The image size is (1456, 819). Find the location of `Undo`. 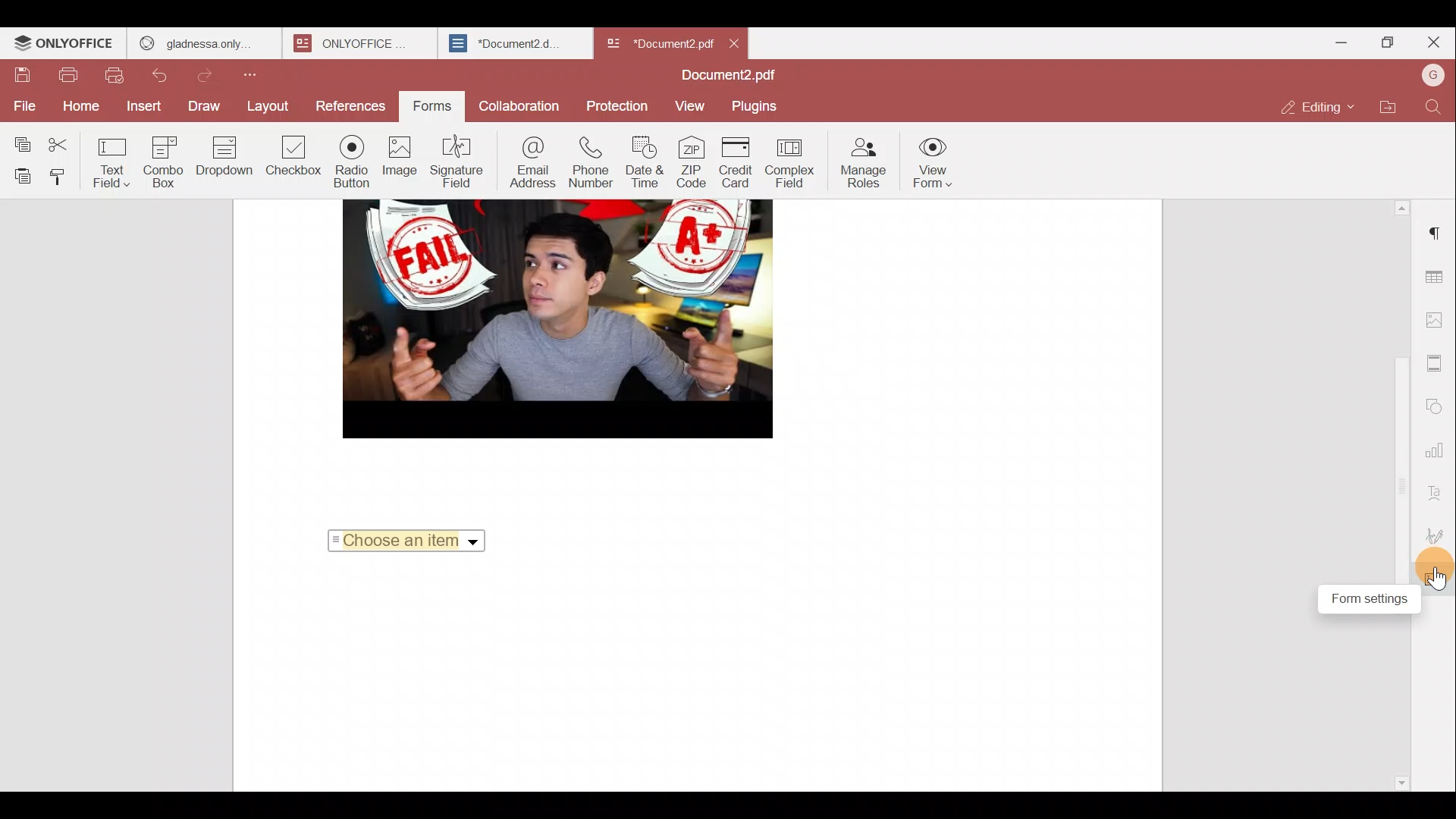

Undo is located at coordinates (164, 75).